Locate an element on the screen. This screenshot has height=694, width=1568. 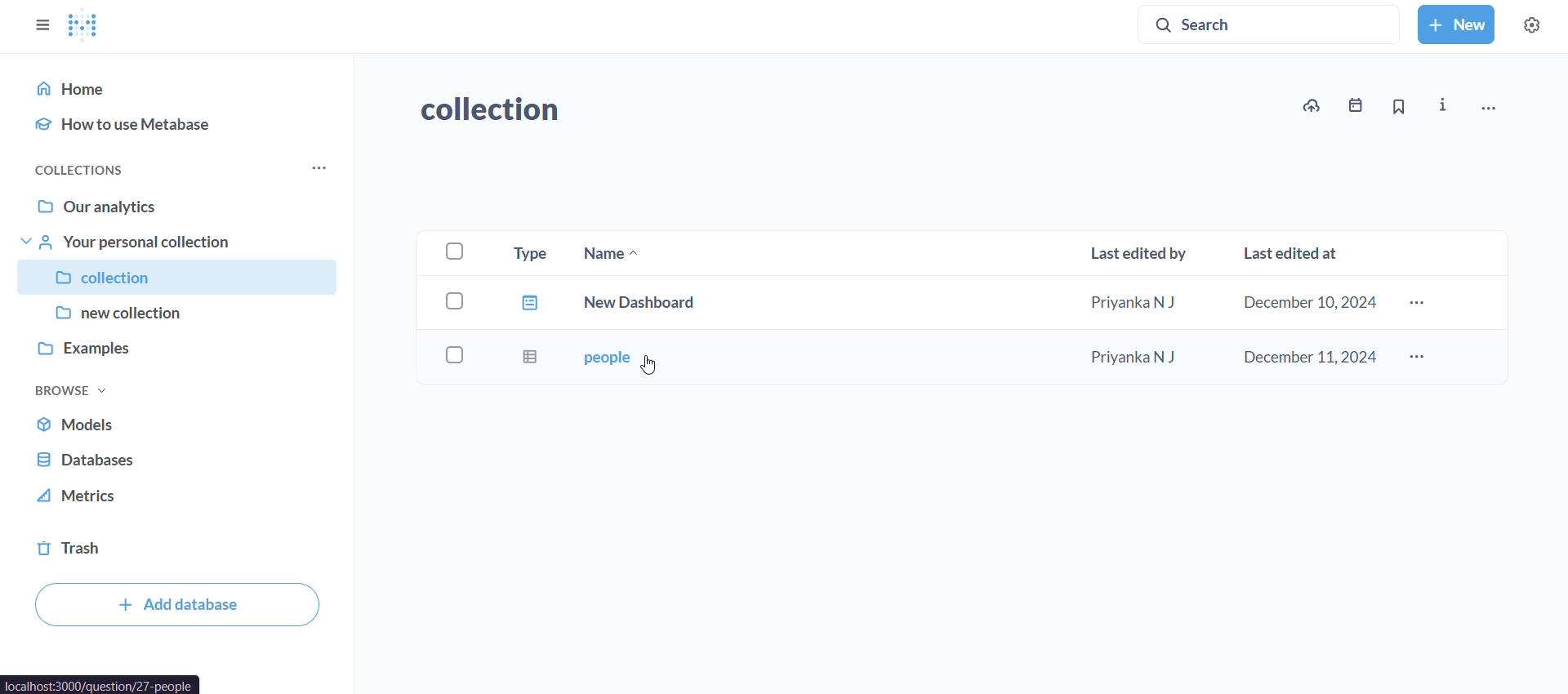
december 10,2024 is located at coordinates (1311, 306).